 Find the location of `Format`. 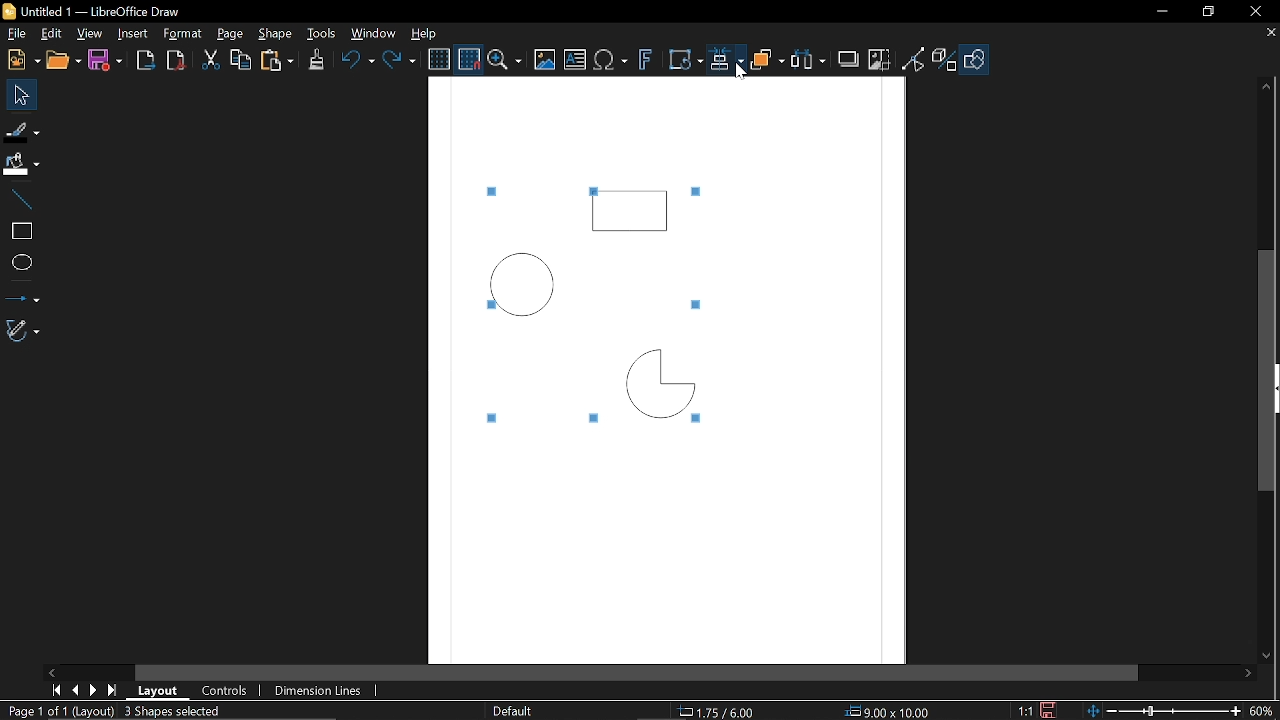

Format is located at coordinates (181, 34).